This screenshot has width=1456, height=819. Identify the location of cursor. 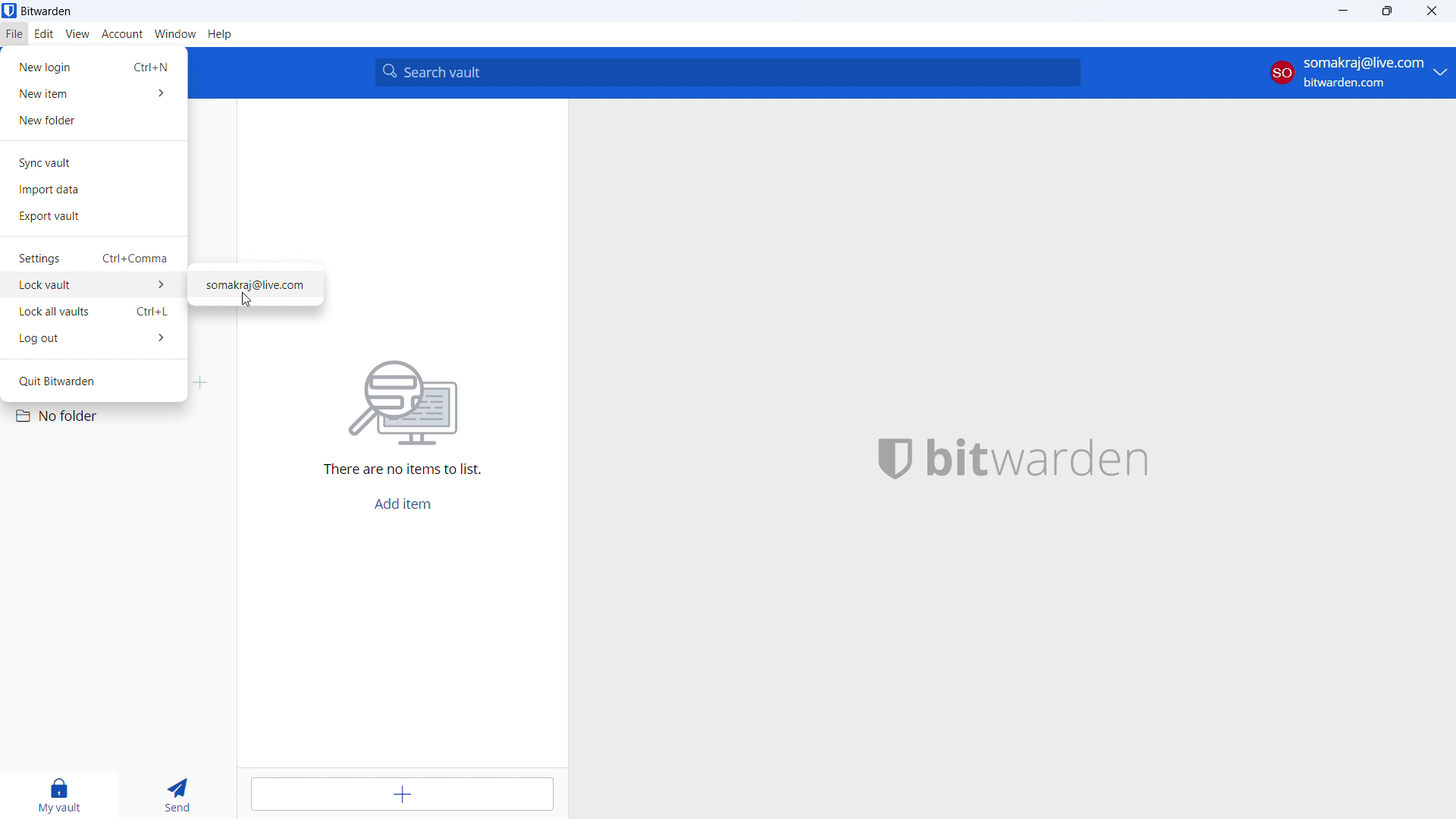
(246, 301).